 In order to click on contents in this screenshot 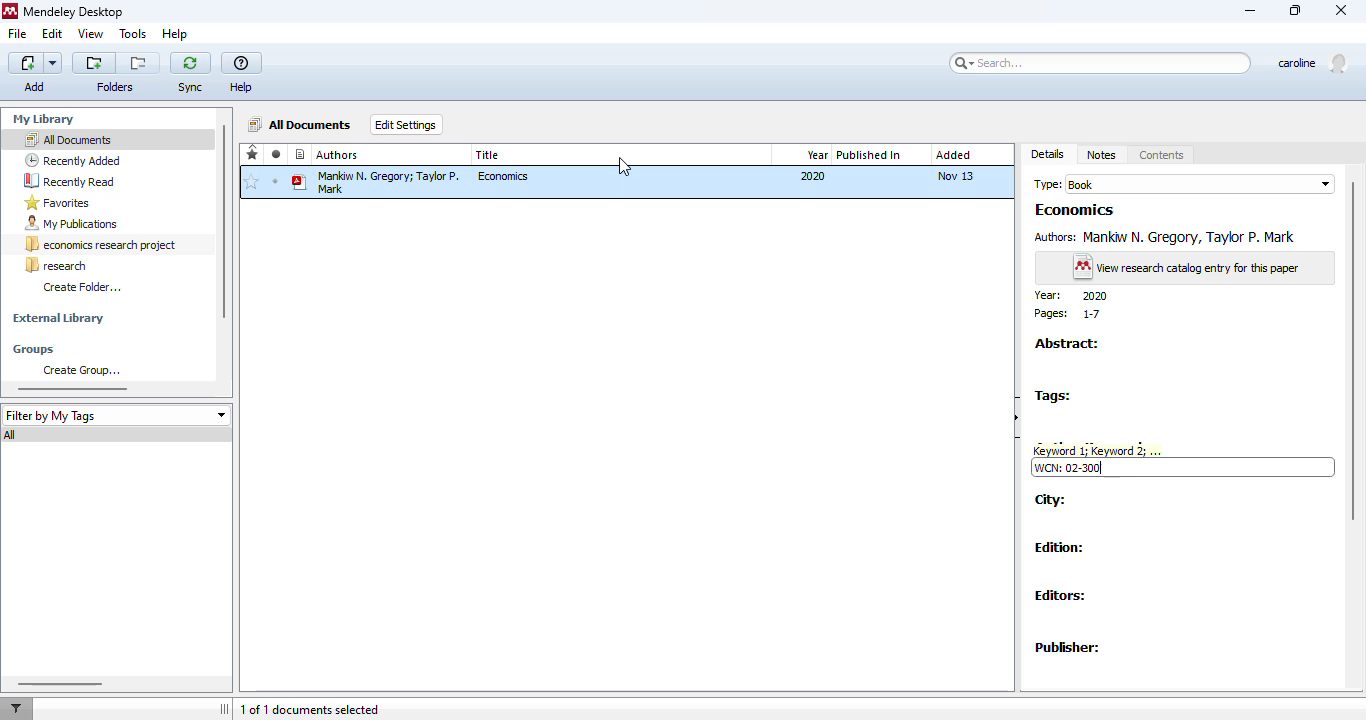, I will do `click(1162, 155)`.